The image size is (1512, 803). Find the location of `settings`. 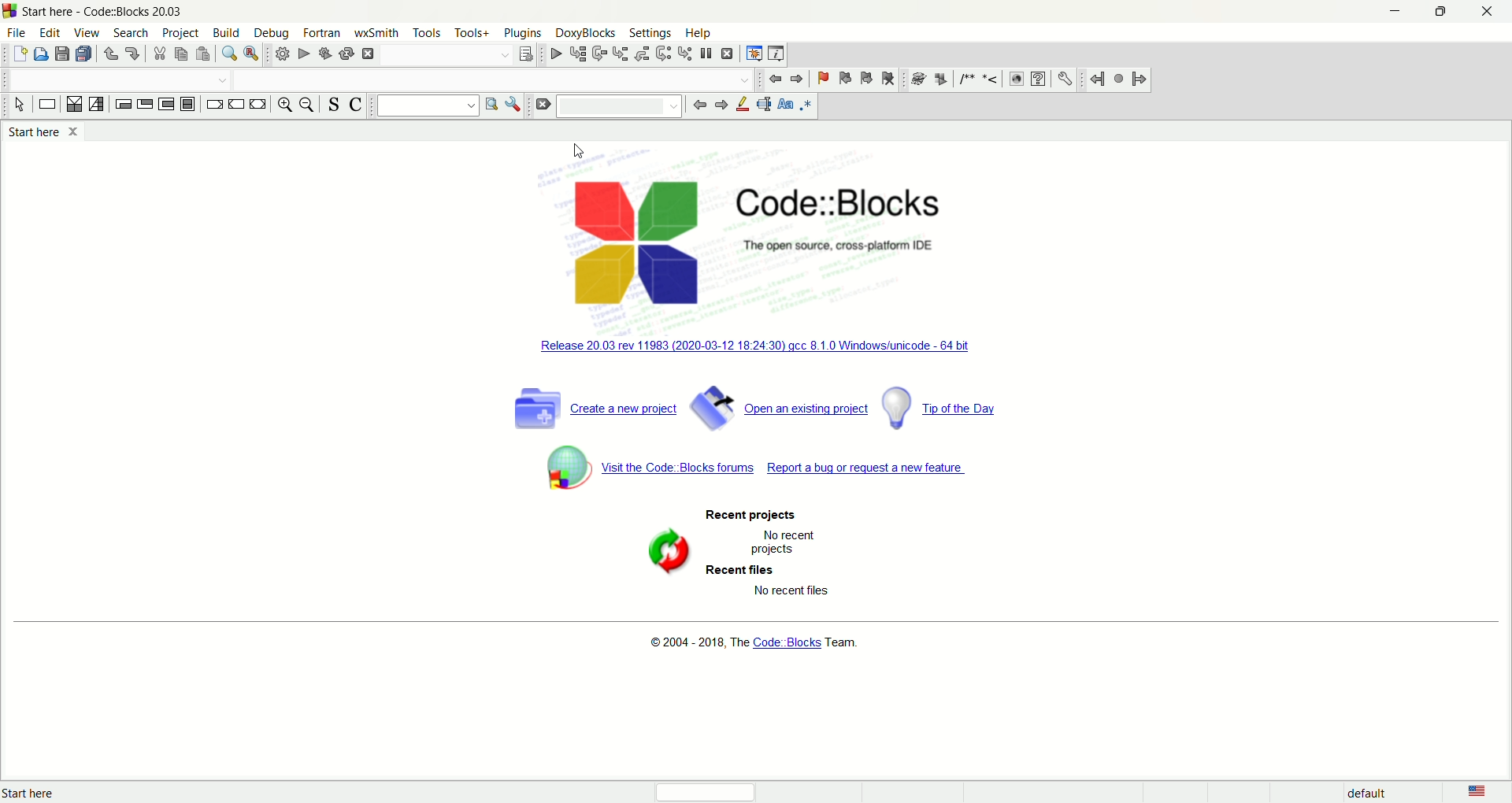

settings is located at coordinates (1065, 80).